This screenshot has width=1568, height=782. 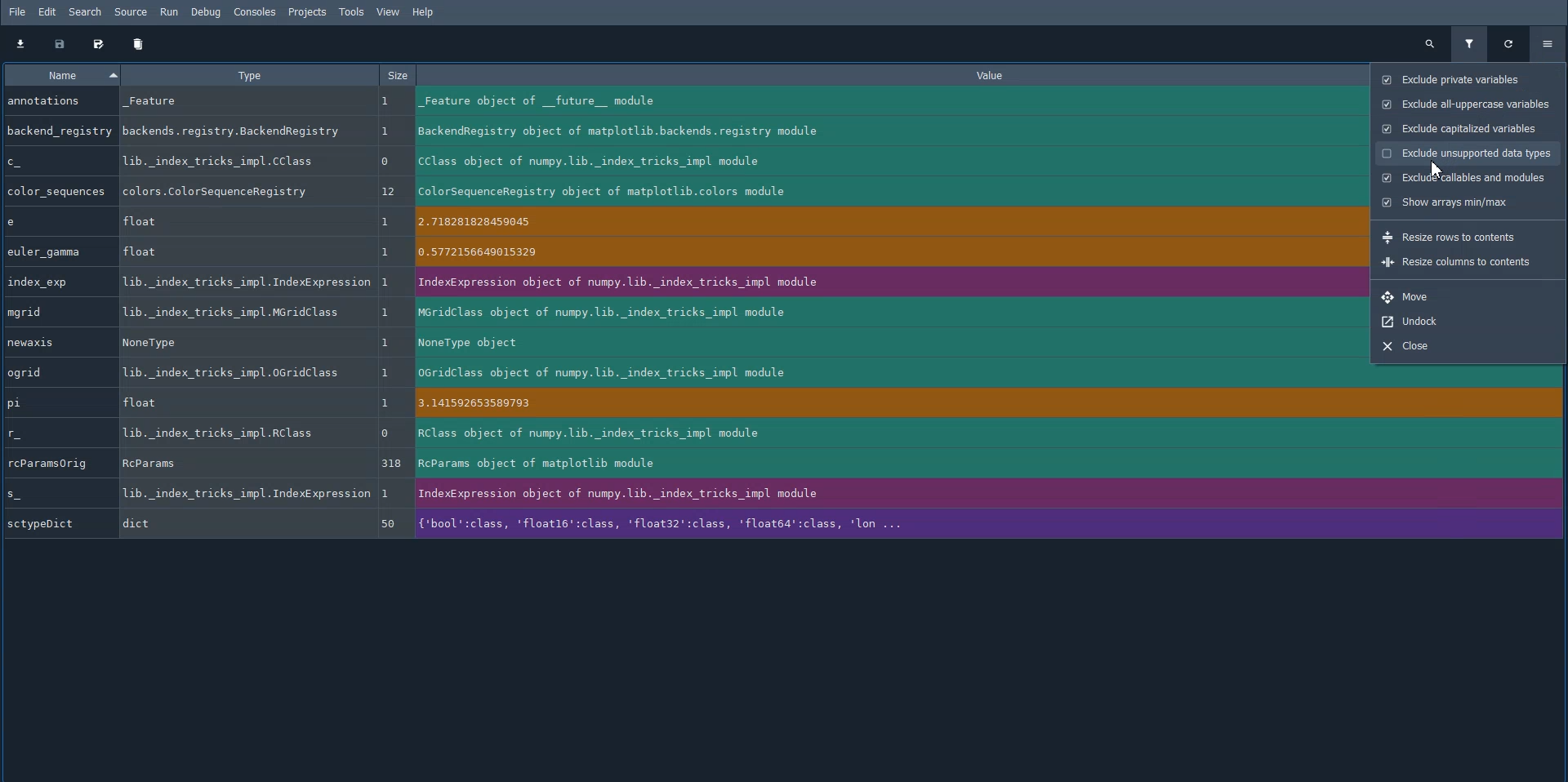 What do you see at coordinates (48, 12) in the screenshot?
I see `Edit` at bounding box center [48, 12].